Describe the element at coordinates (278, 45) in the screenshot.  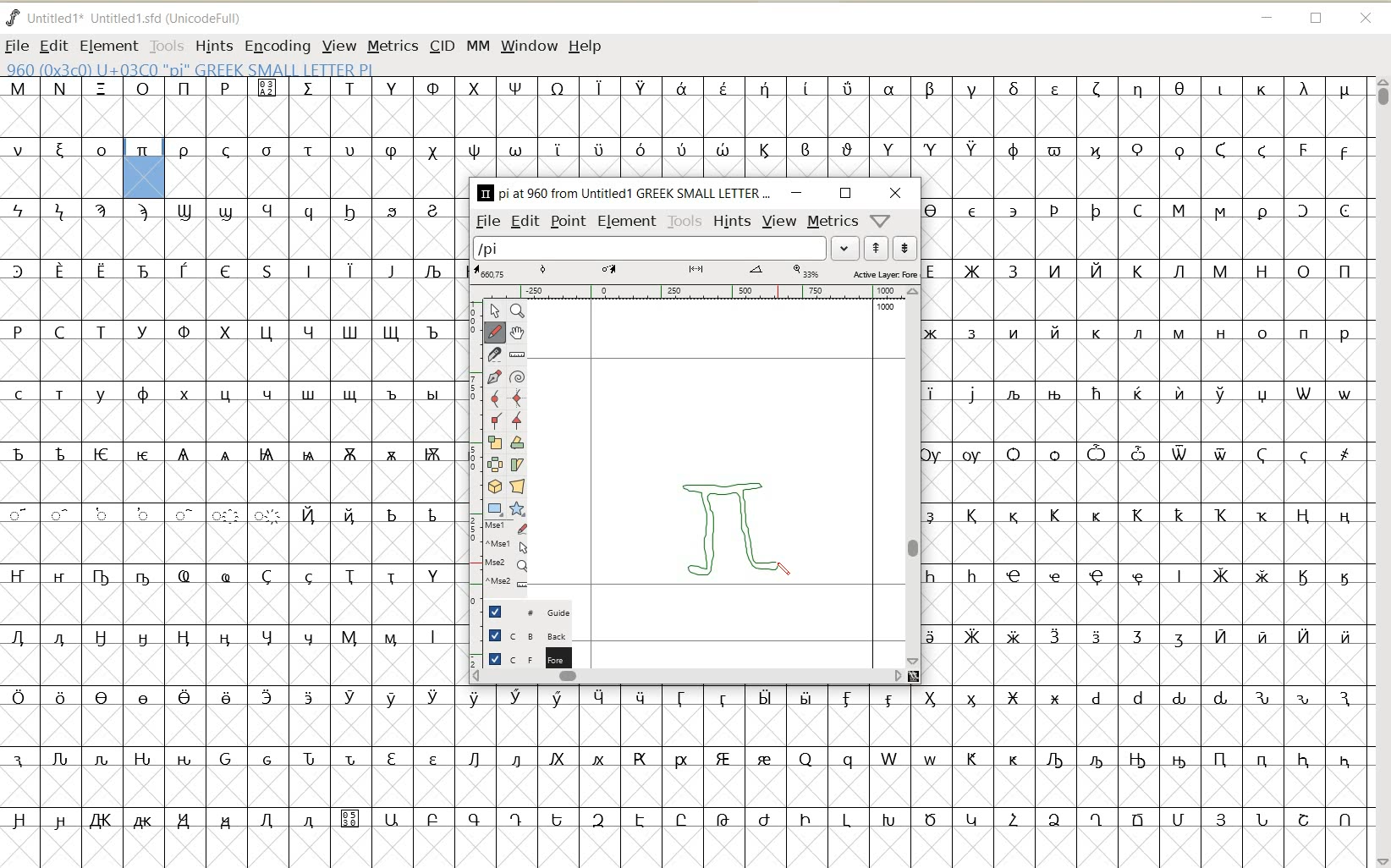
I see `ENCODING` at that location.